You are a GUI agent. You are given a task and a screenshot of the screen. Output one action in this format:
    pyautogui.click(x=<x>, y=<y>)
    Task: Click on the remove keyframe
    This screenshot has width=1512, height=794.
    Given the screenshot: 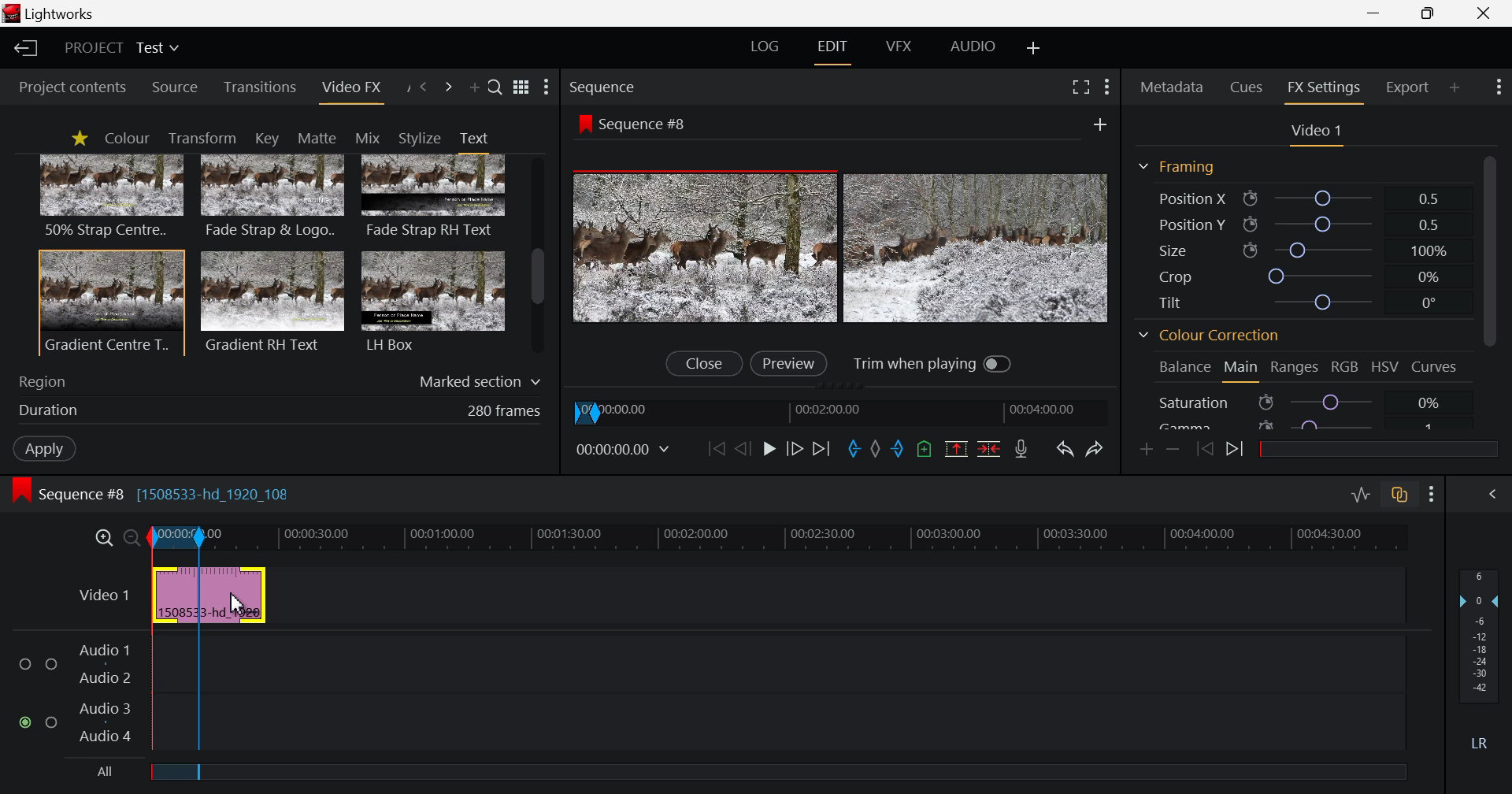 What is the action you would take?
    pyautogui.click(x=1173, y=449)
    